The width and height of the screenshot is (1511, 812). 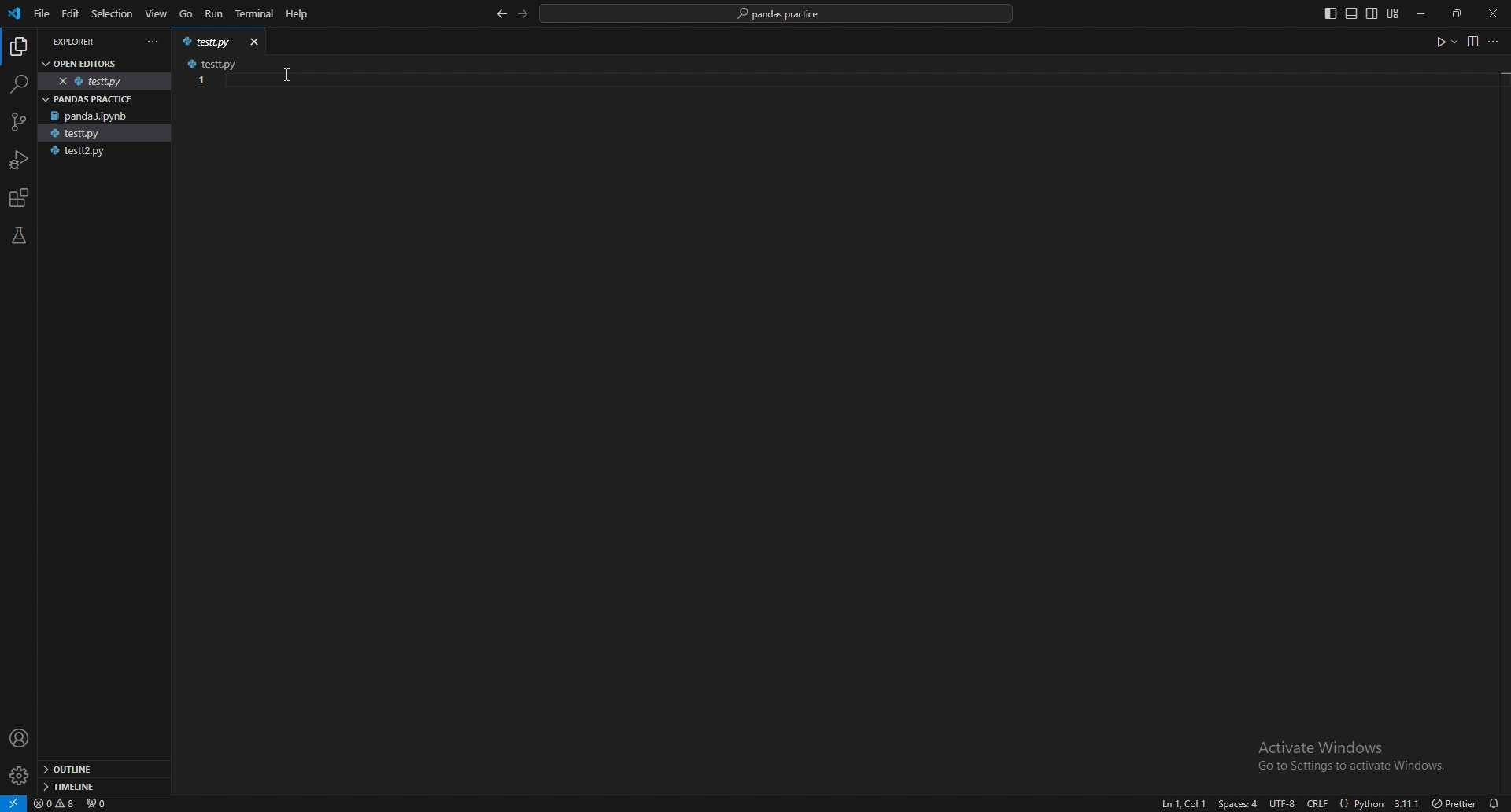 I want to click on more options, so click(x=1496, y=43).